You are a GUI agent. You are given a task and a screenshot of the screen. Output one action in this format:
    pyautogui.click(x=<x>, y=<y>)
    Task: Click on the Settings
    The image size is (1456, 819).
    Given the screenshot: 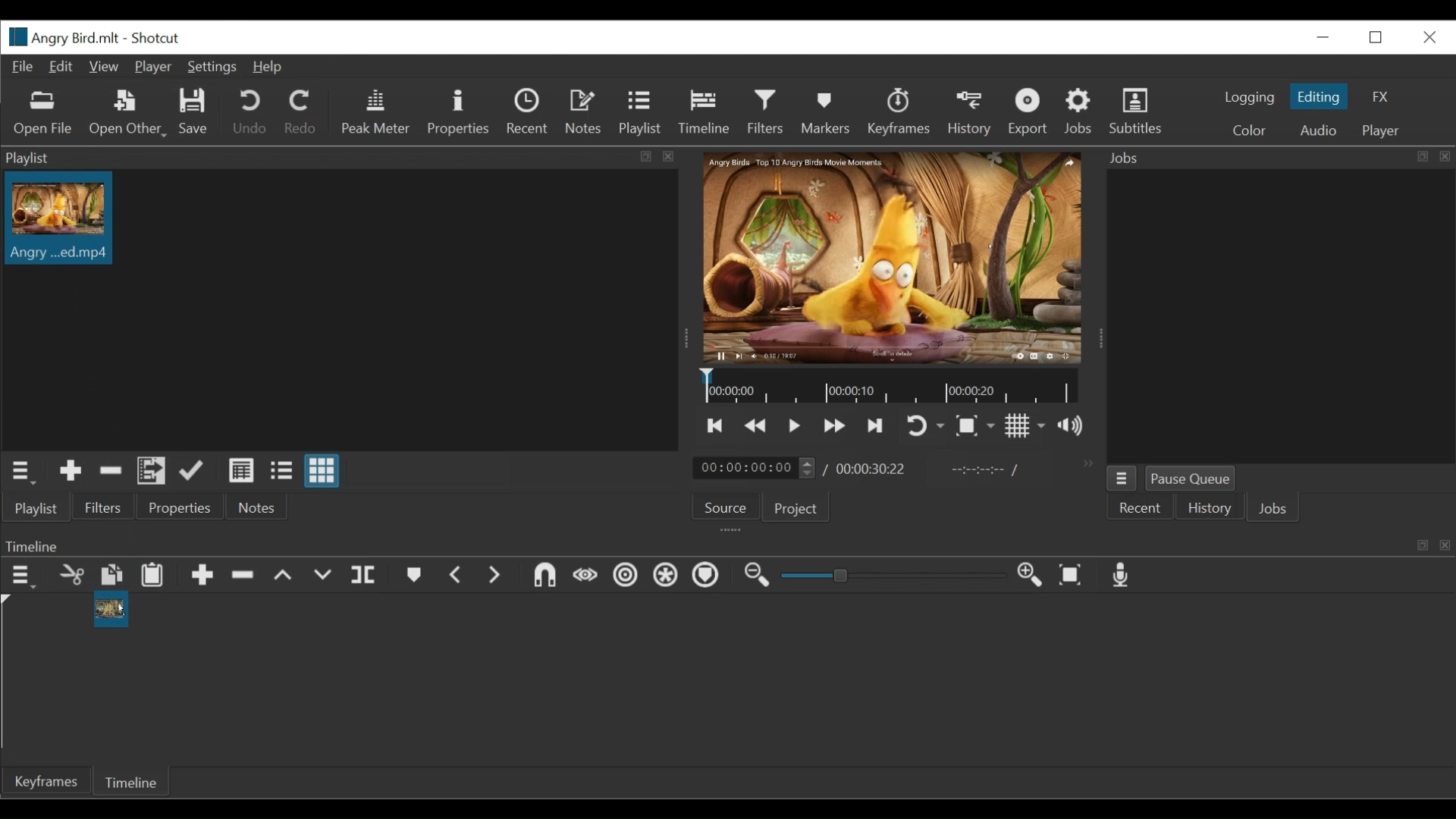 What is the action you would take?
    pyautogui.click(x=212, y=66)
    